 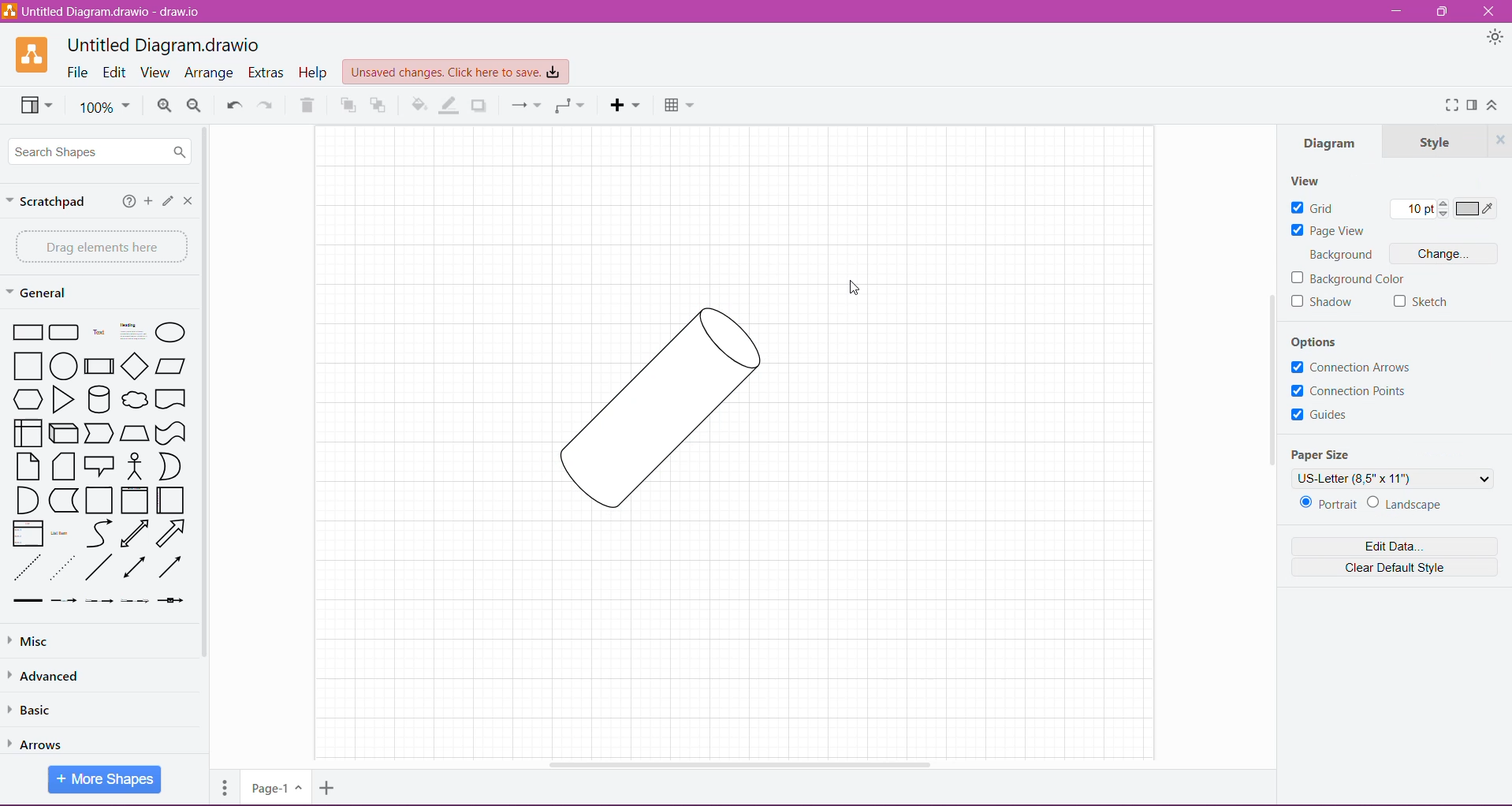 I want to click on Drag elements here, so click(x=98, y=246).